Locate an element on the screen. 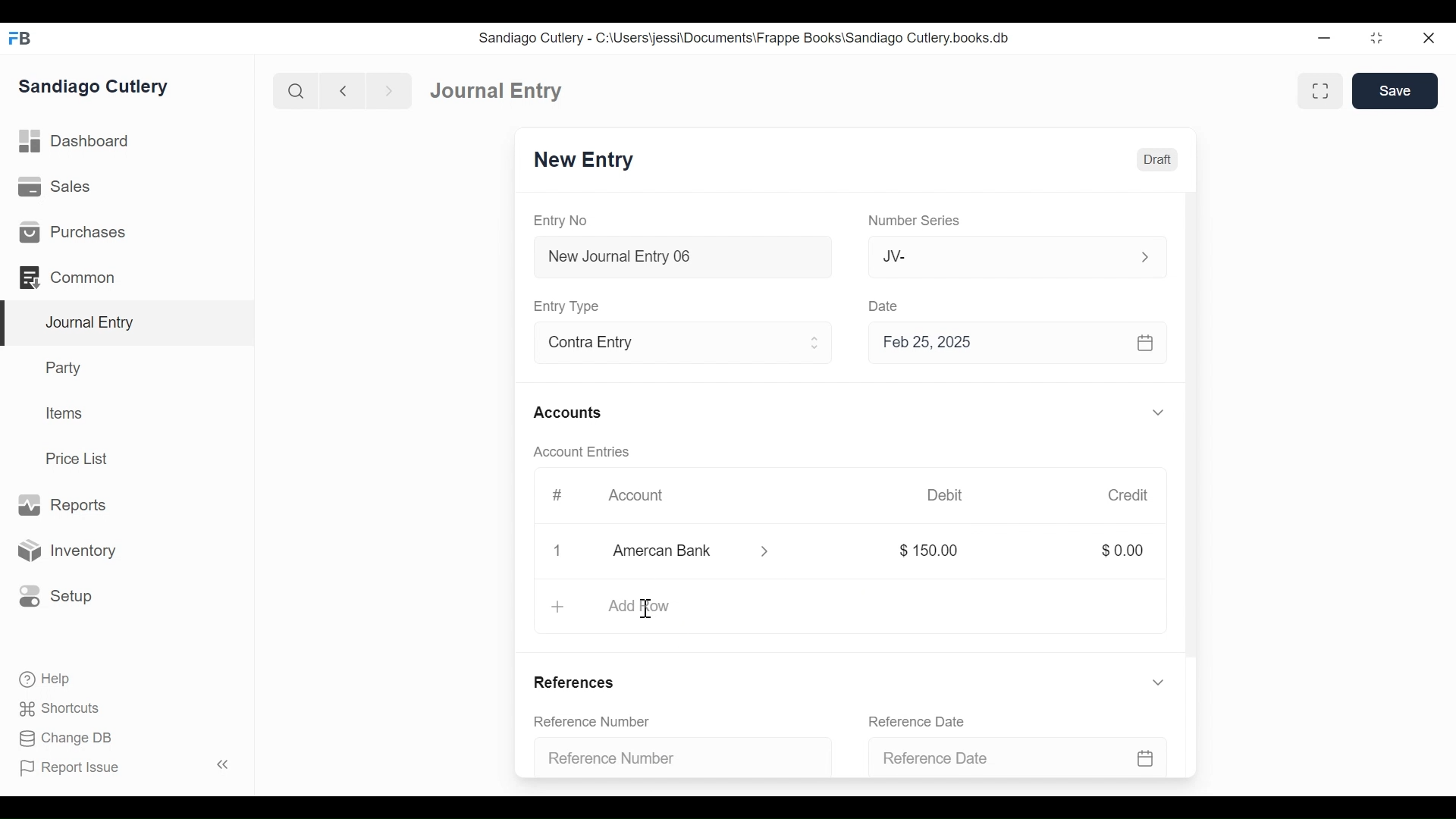 The height and width of the screenshot is (819, 1456). Expand is located at coordinates (1145, 257).